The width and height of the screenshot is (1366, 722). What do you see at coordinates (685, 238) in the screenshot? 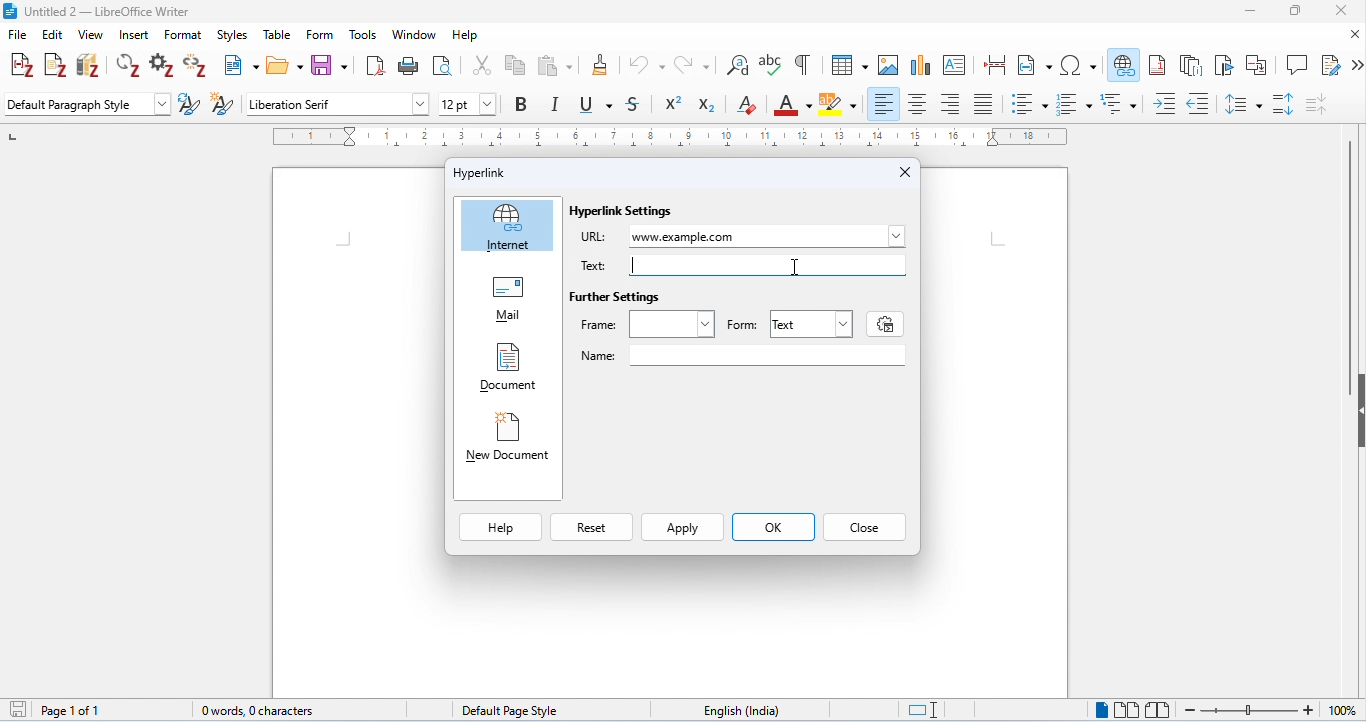
I see `www.example.com typed as URL` at bounding box center [685, 238].